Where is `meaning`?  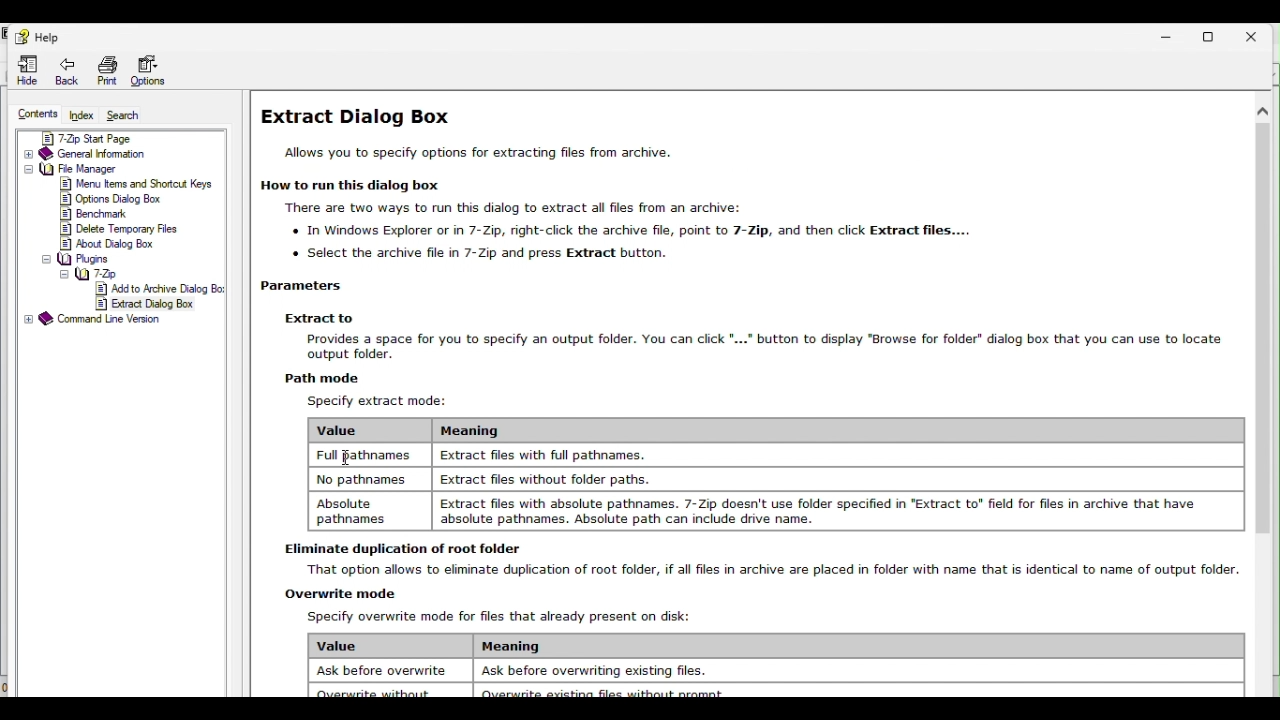 meaning is located at coordinates (466, 431).